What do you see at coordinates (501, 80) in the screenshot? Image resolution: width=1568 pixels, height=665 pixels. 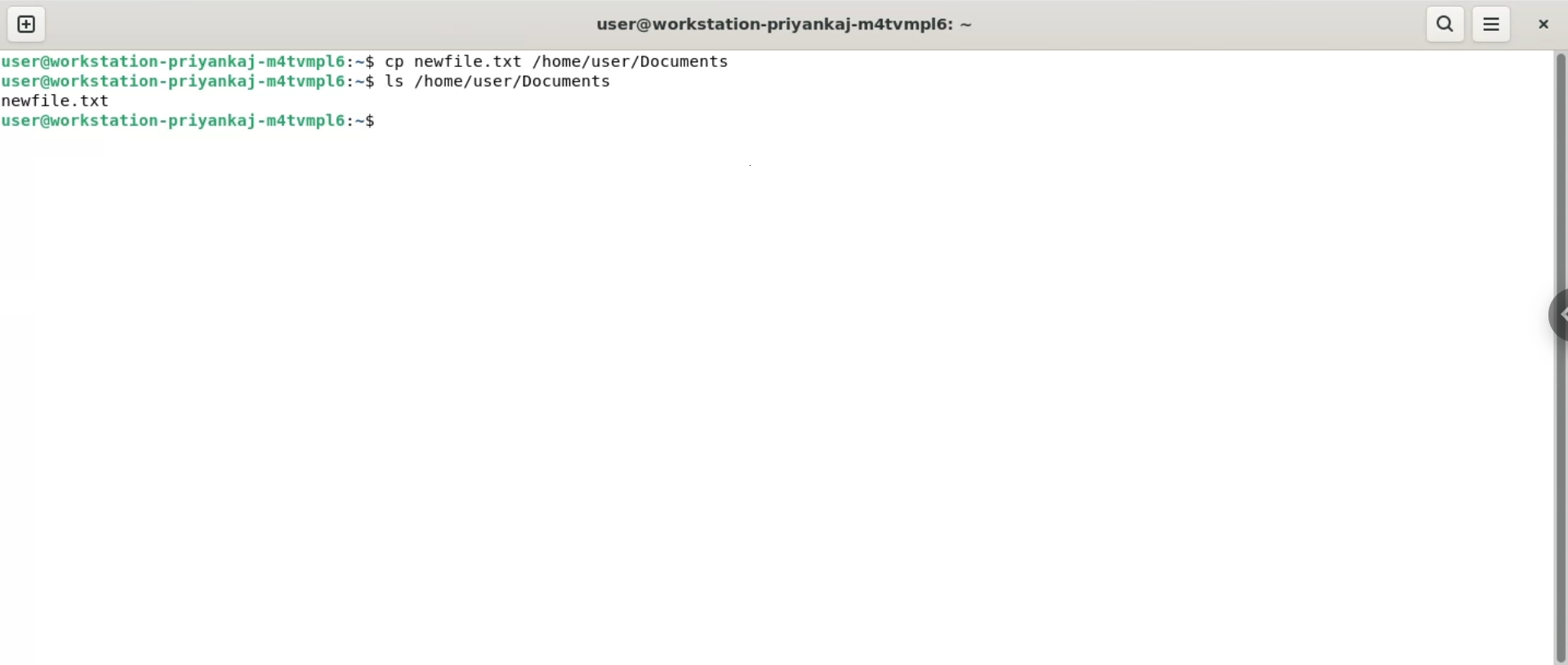 I see `ls /home/user/Documents` at bounding box center [501, 80].